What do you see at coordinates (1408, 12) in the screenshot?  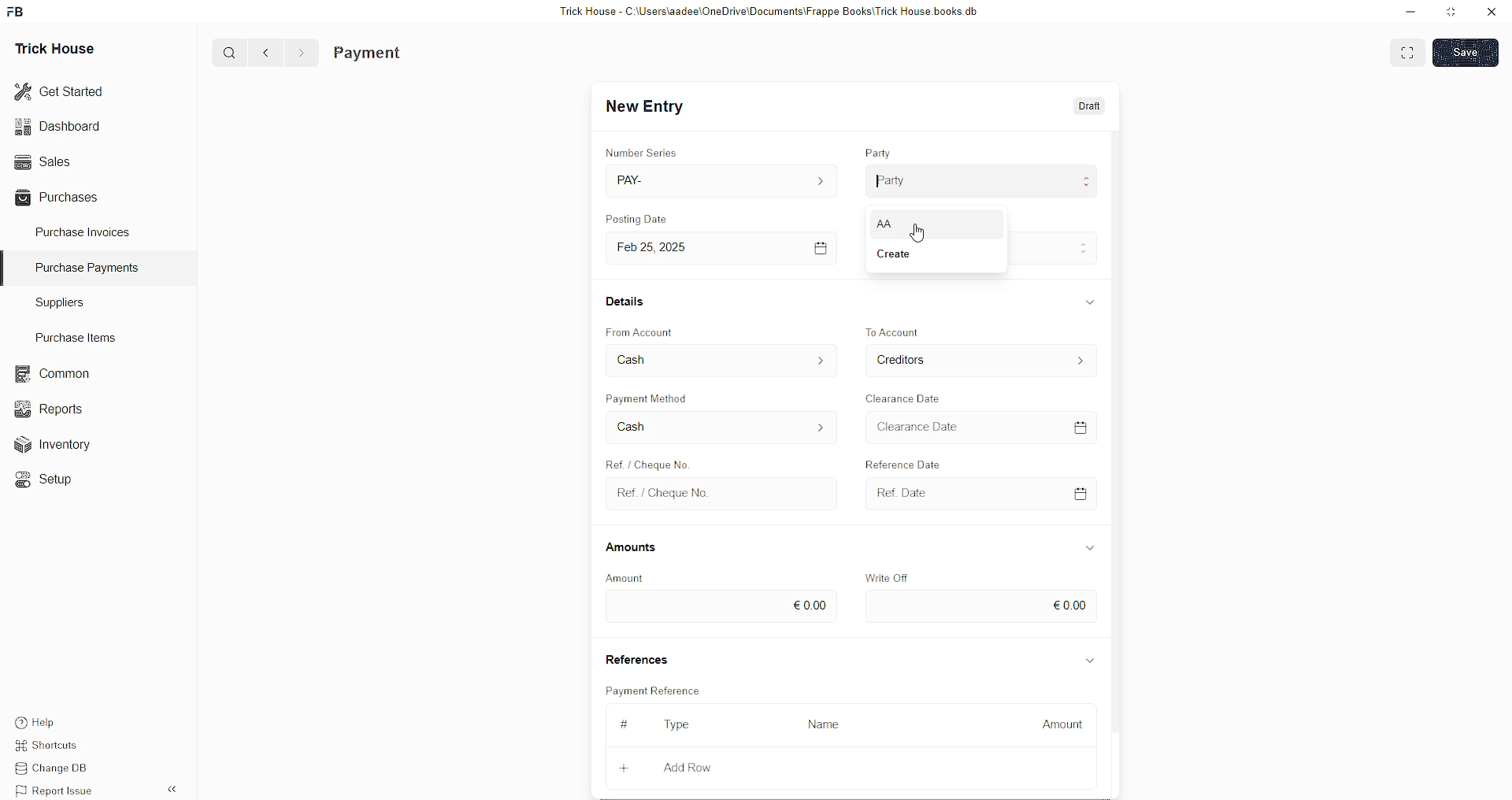 I see `minimise down` at bounding box center [1408, 12].